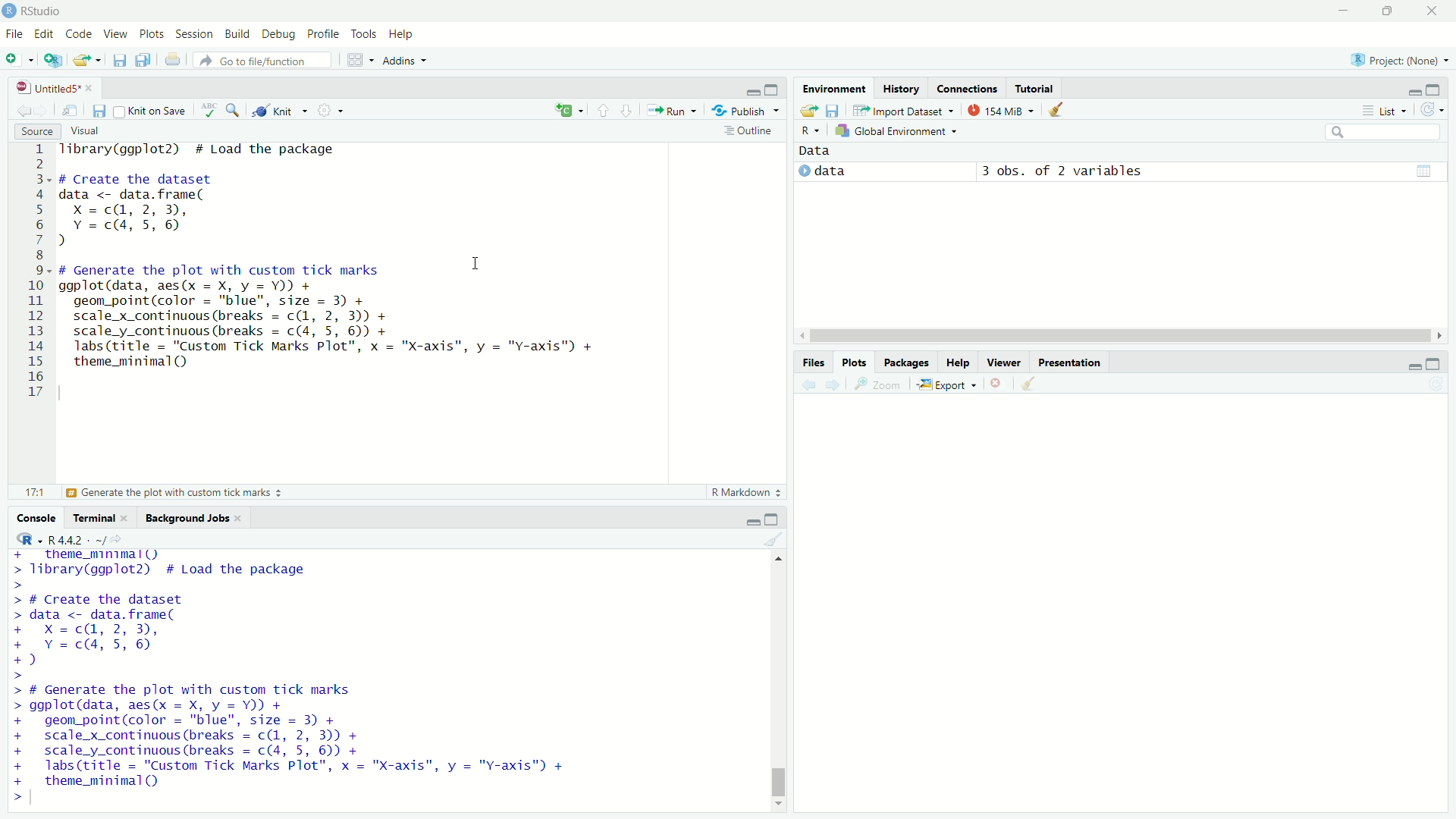  Describe the element at coordinates (1437, 111) in the screenshot. I see `refresh` at that location.